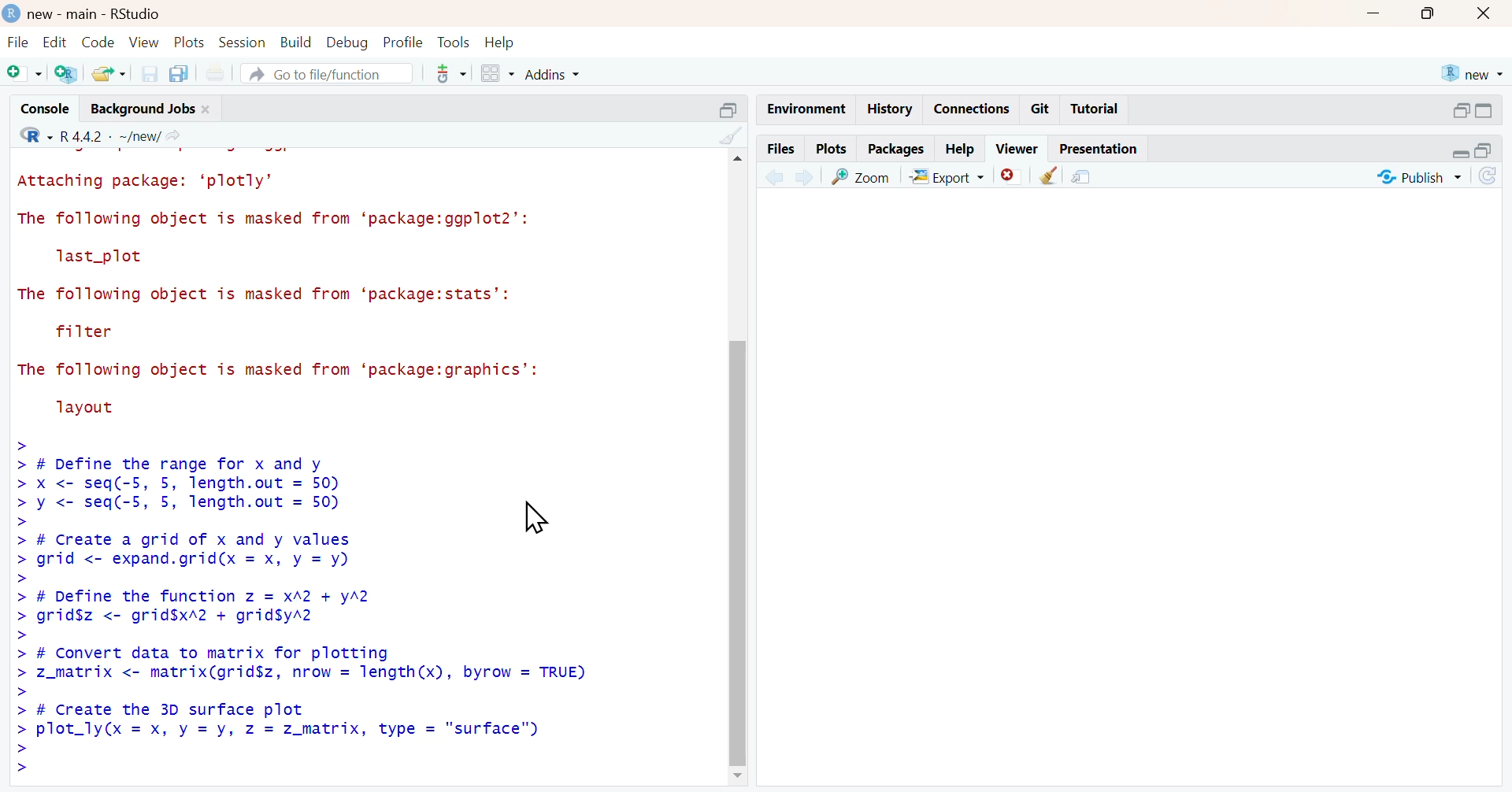 The image size is (1512, 792). I want to click on tools, so click(453, 41).